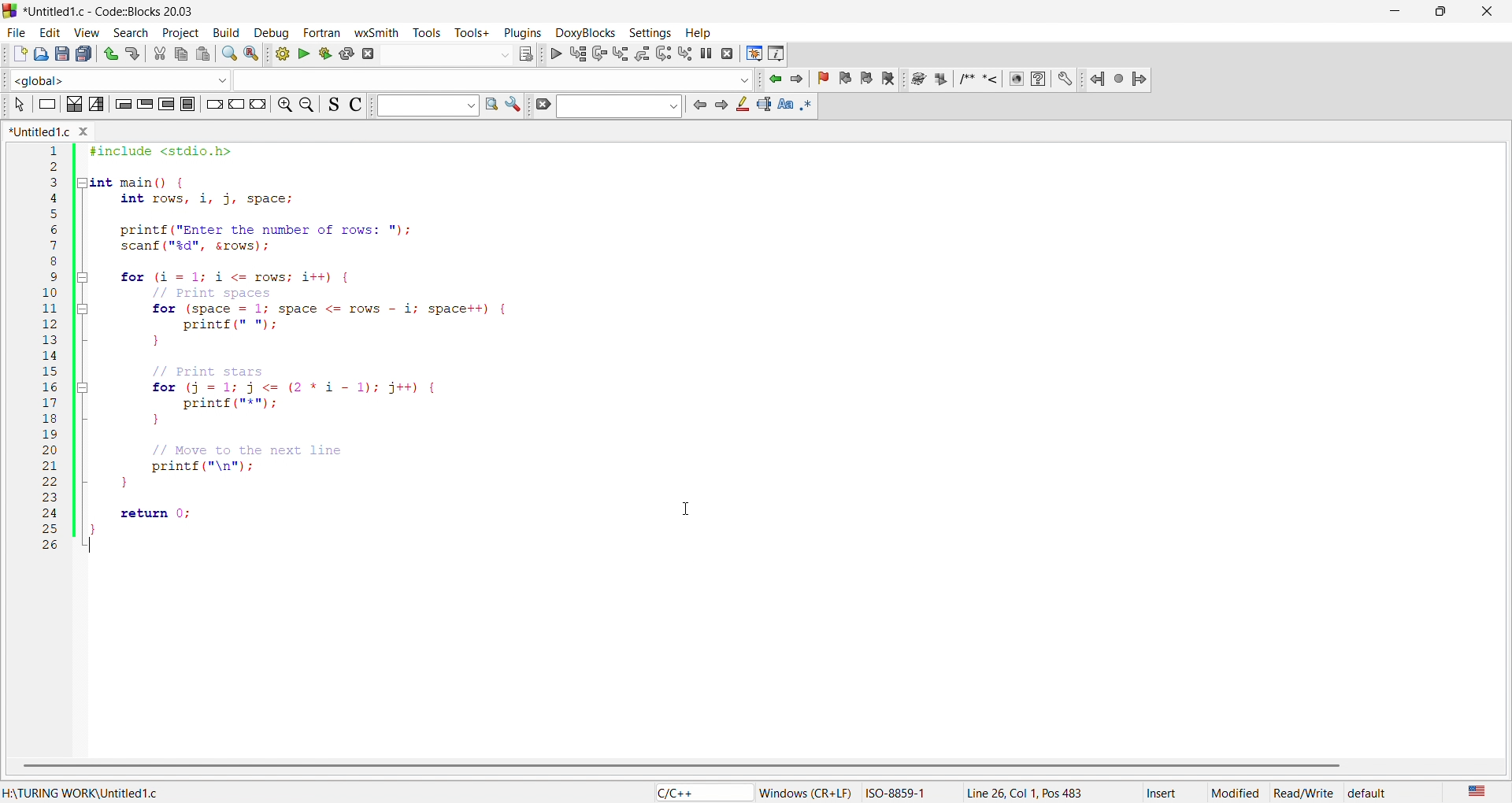  I want to click on file type, so click(692, 793).